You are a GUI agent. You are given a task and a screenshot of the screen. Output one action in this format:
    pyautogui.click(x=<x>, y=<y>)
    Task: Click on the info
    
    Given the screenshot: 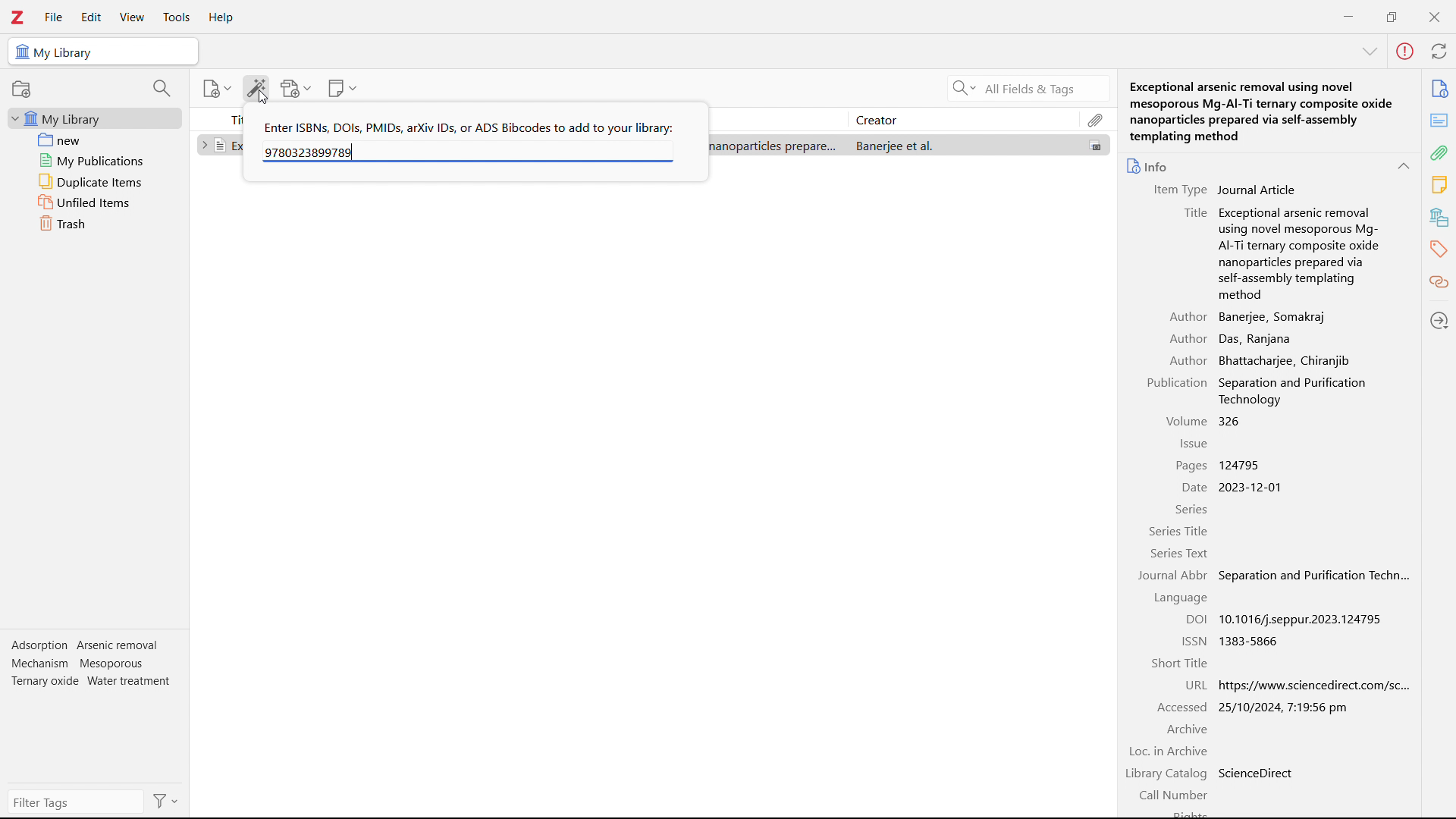 What is the action you would take?
    pyautogui.click(x=1149, y=165)
    